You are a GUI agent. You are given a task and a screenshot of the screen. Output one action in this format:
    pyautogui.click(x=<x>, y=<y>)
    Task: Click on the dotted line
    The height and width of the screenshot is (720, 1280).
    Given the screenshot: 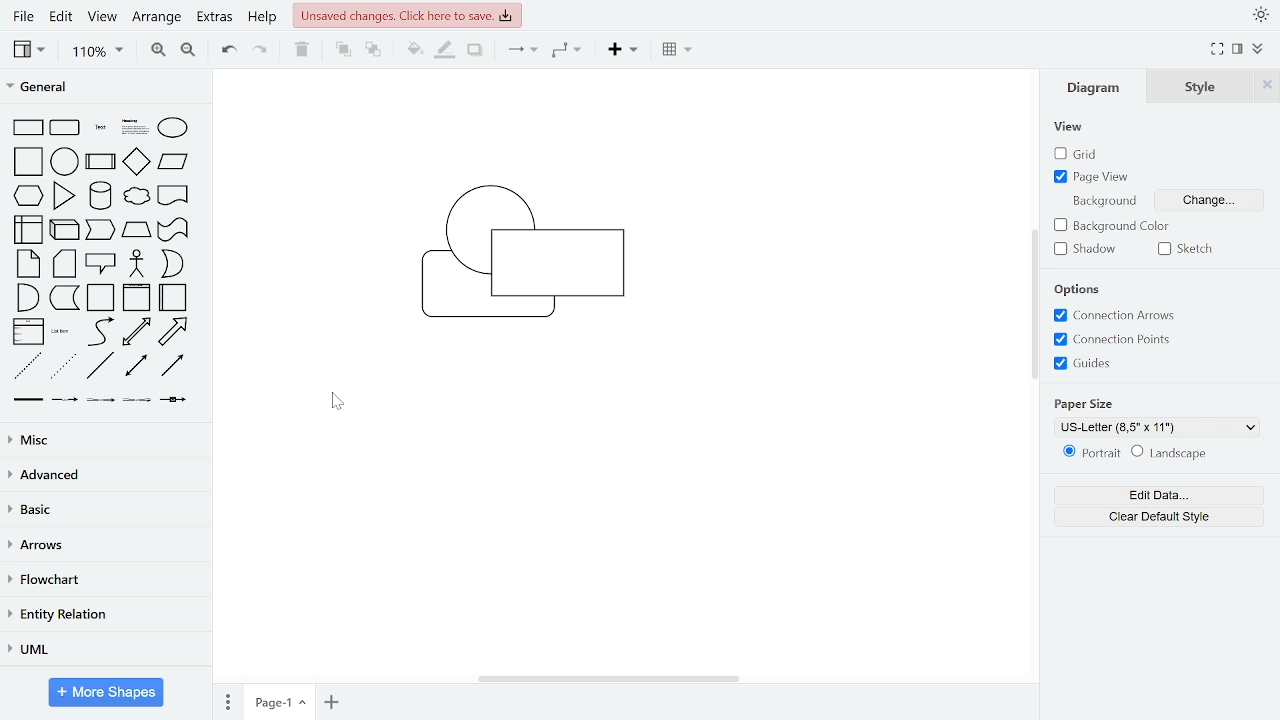 What is the action you would take?
    pyautogui.click(x=64, y=366)
    